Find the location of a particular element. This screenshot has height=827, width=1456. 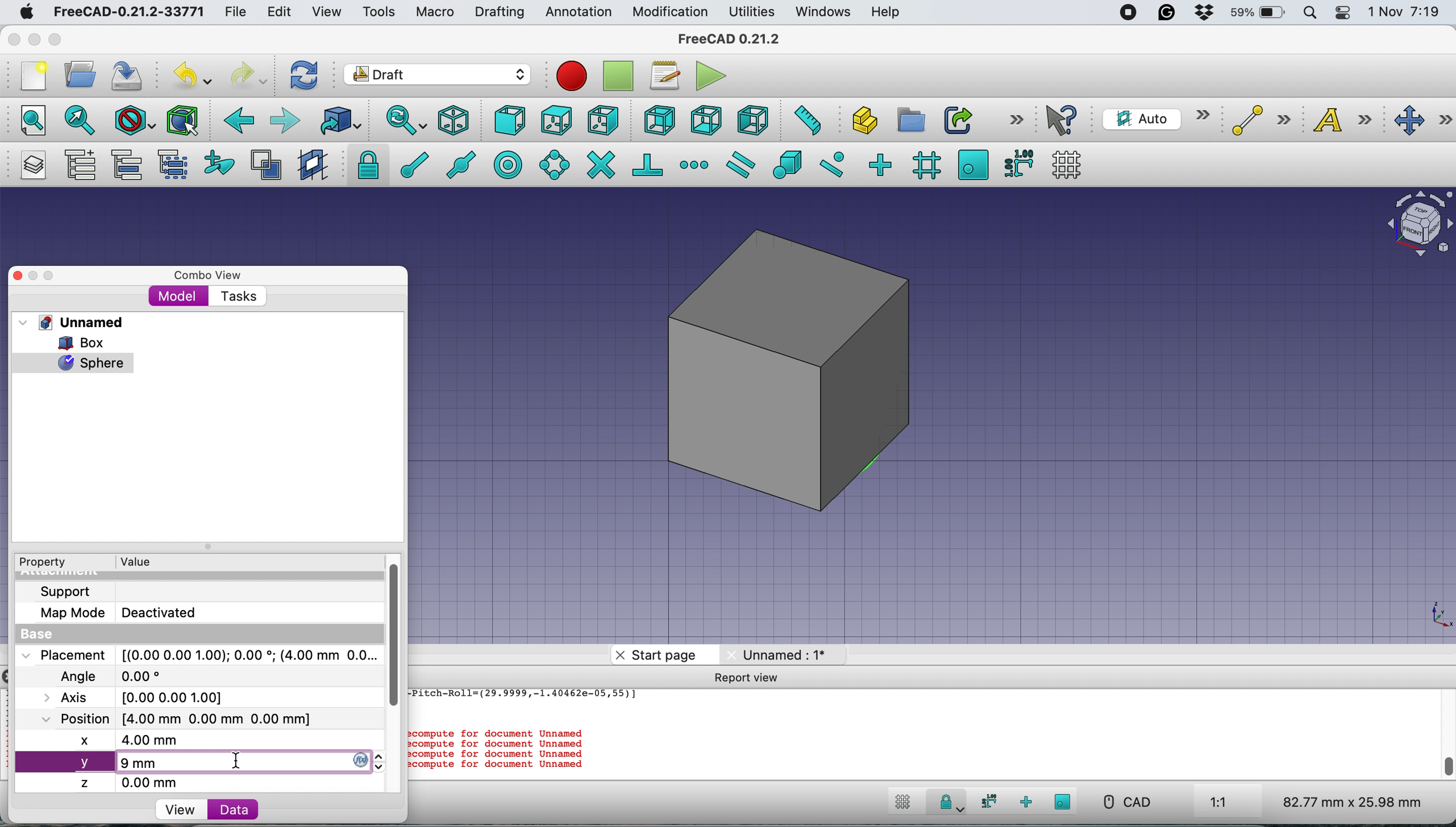

snap extension is located at coordinates (696, 165).